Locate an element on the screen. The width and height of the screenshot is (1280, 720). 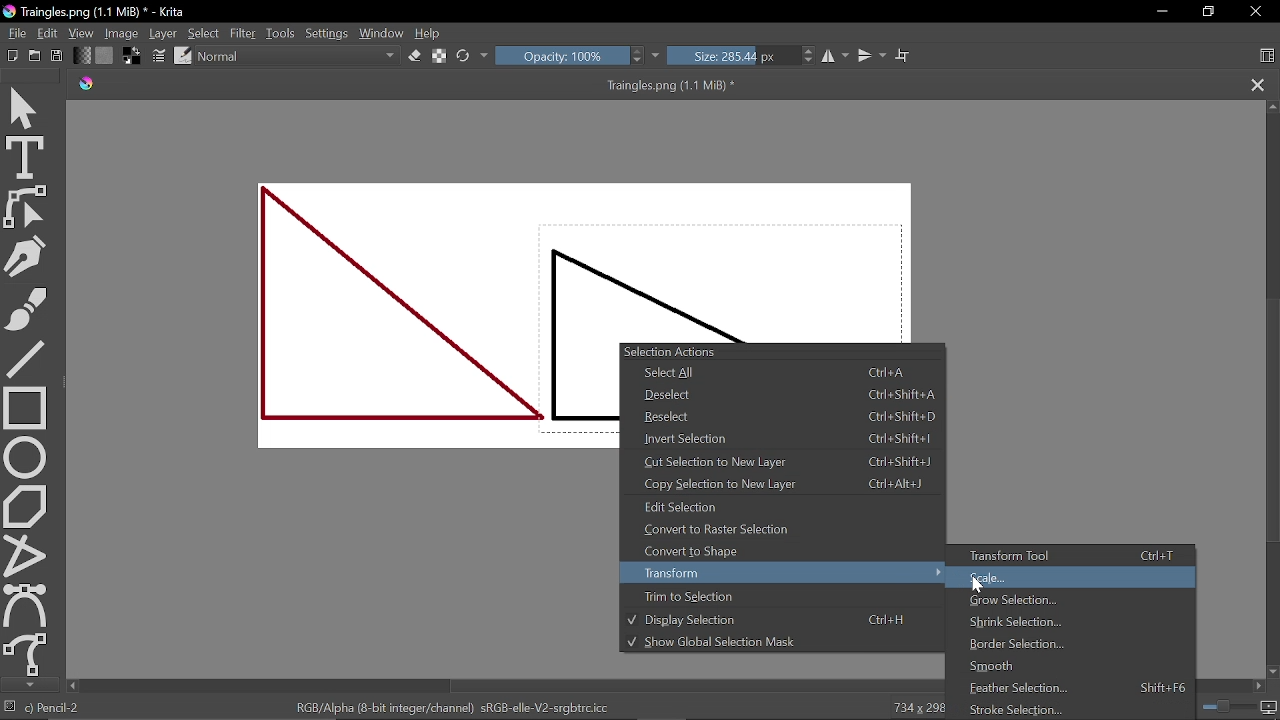
Freehand brush tool is located at coordinates (26, 305).